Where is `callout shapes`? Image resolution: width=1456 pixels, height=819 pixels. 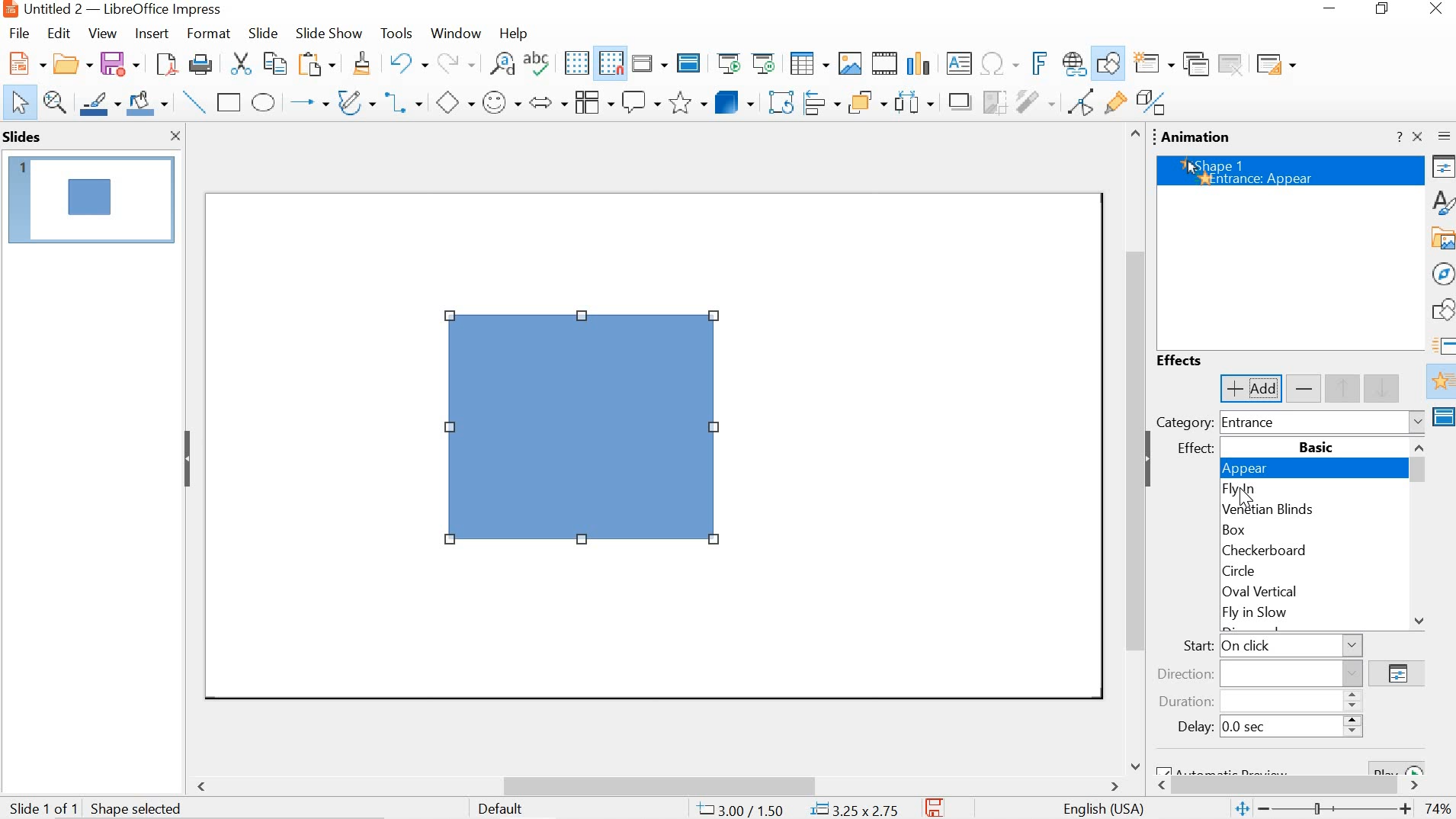
callout shapes is located at coordinates (640, 101).